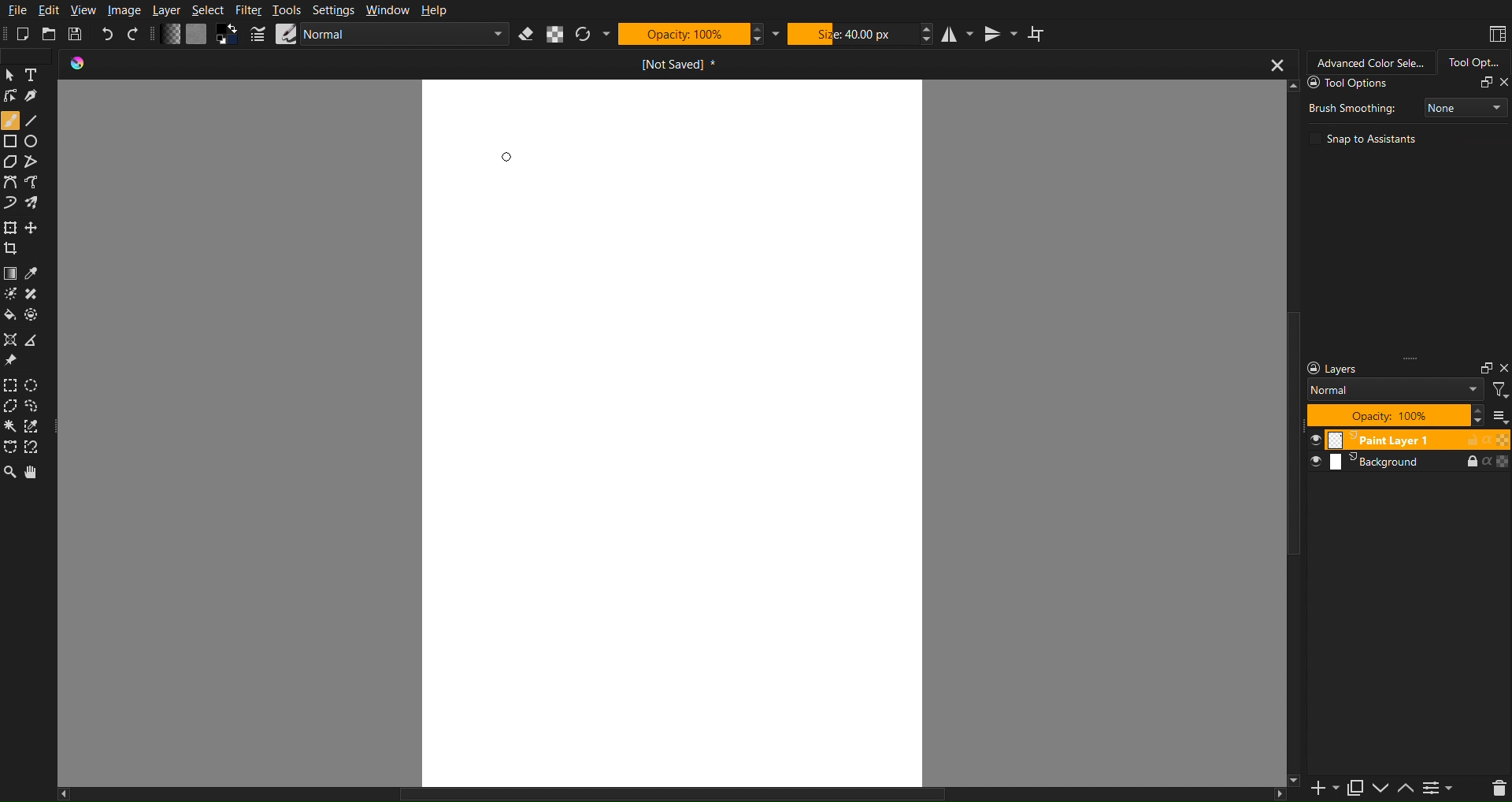  Describe the element at coordinates (13, 249) in the screenshot. I see `Crop` at that location.